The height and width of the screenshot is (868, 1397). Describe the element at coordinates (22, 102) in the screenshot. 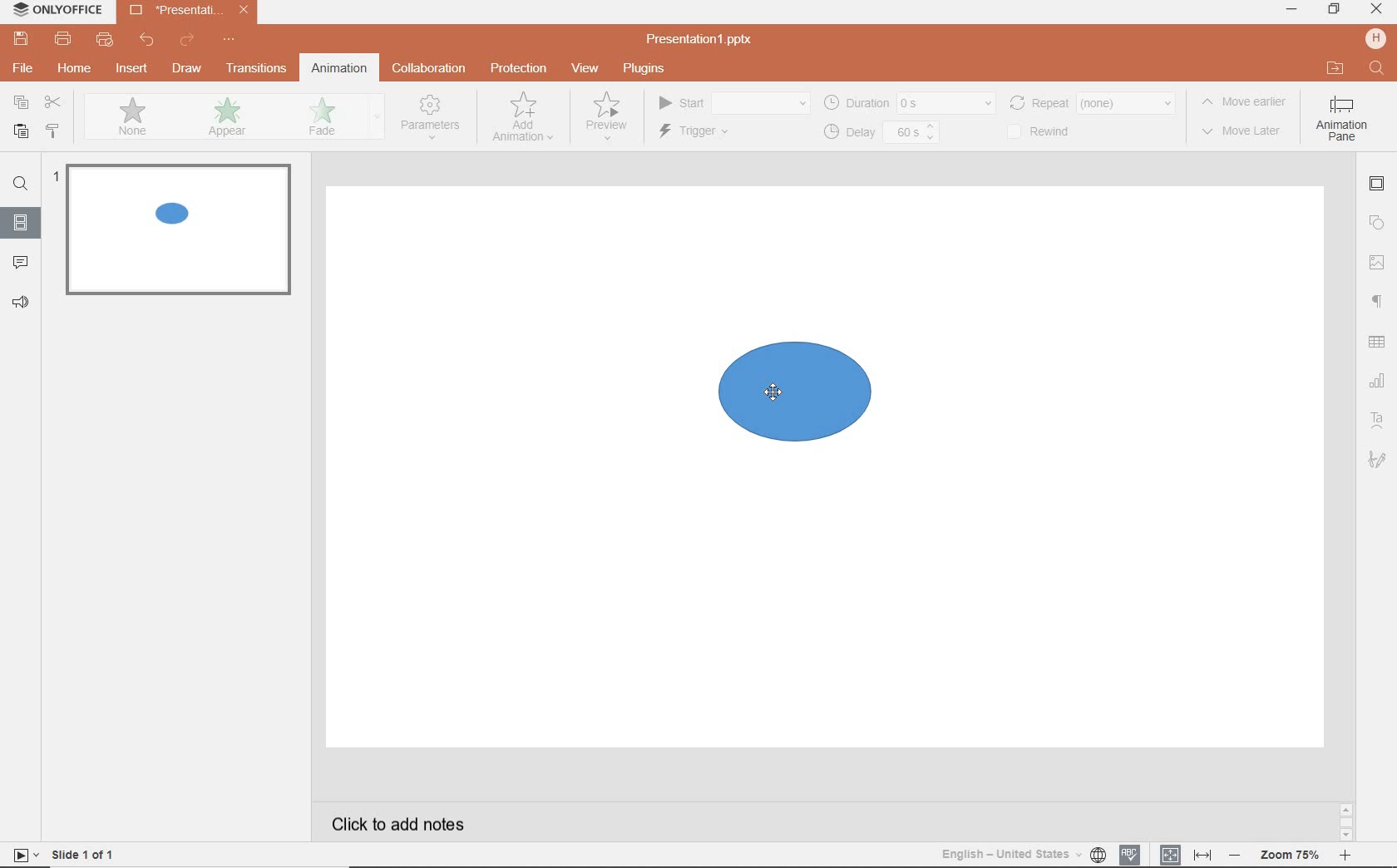

I see `copy` at that location.